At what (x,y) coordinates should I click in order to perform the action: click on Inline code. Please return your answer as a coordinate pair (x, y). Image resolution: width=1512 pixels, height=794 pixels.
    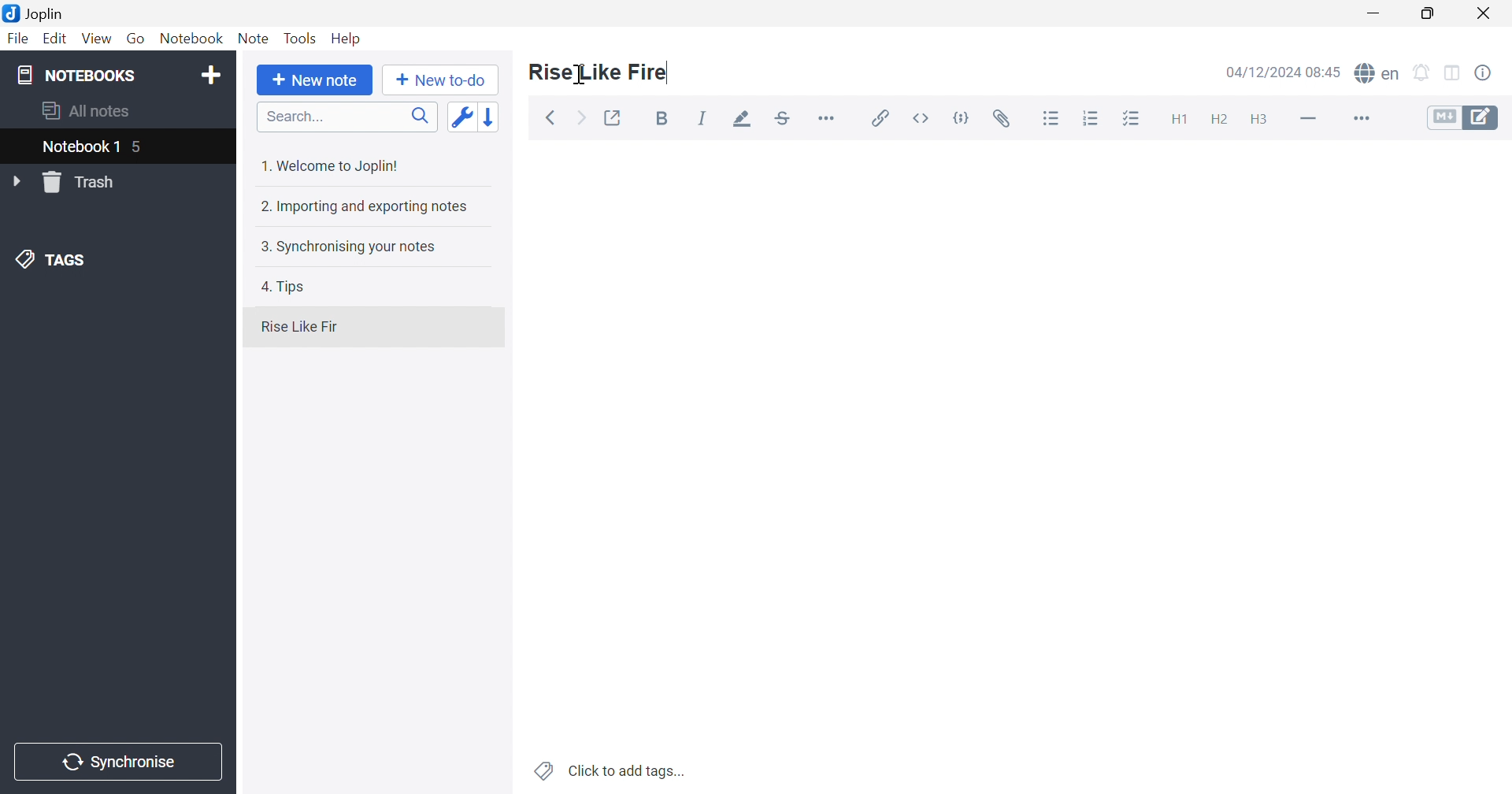
    Looking at the image, I should click on (922, 118).